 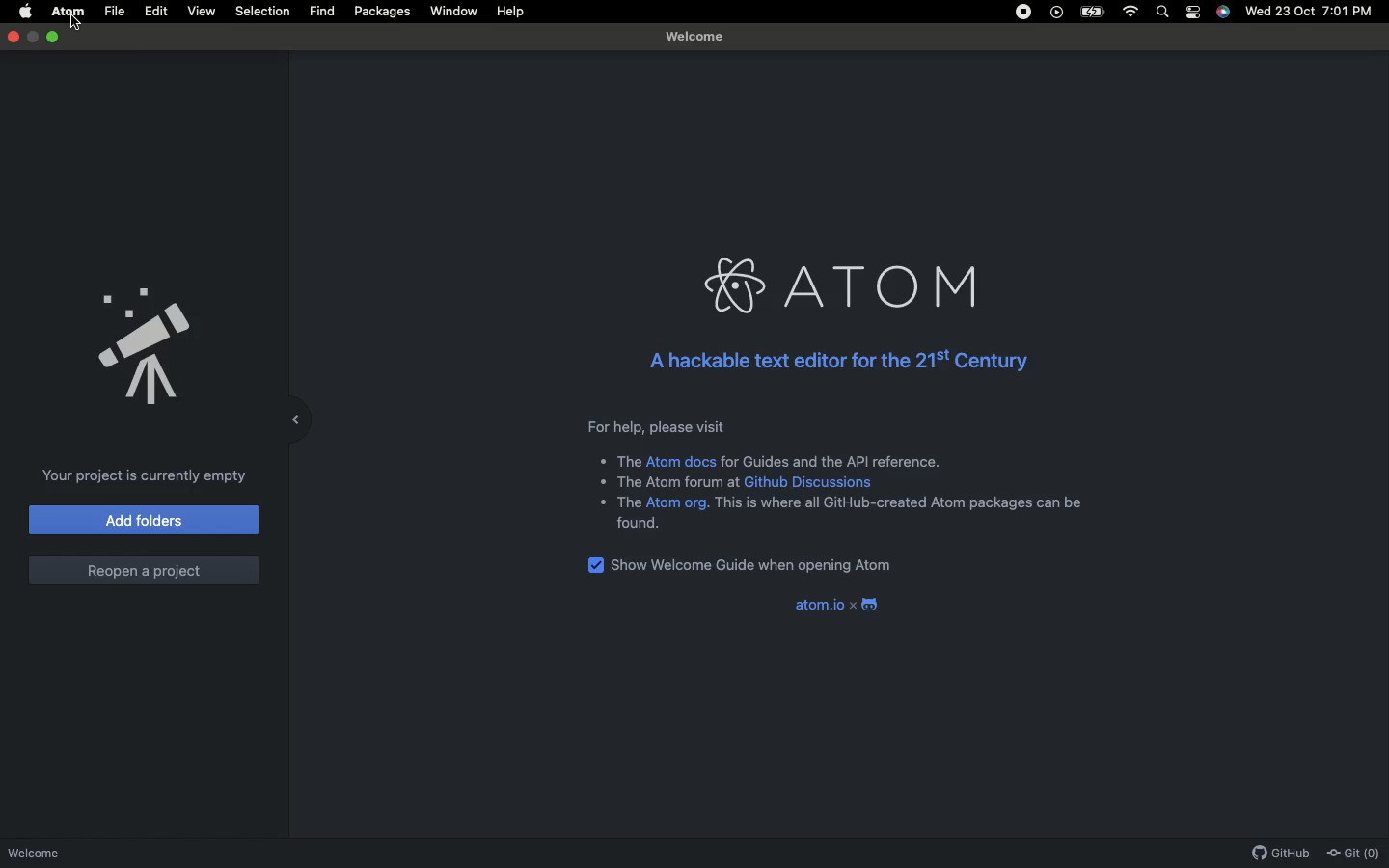 What do you see at coordinates (842, 518) in the screenshot?
I see `+ The Atom org. This is where all GitHub-created Atom packages can be
found.` at bounding box center [842, 518].